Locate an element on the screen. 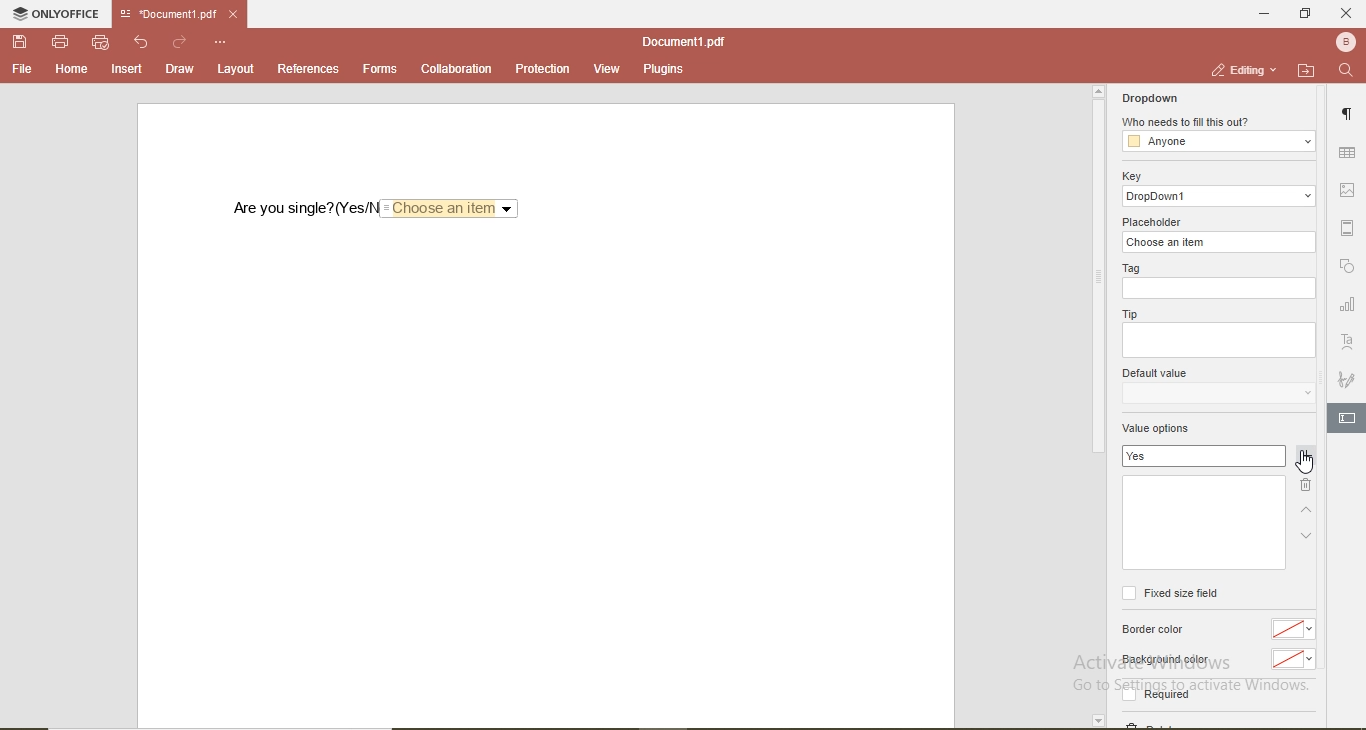 The height and width of the screenshot is (730, 1366). down is located at coordinates (1304, 541).